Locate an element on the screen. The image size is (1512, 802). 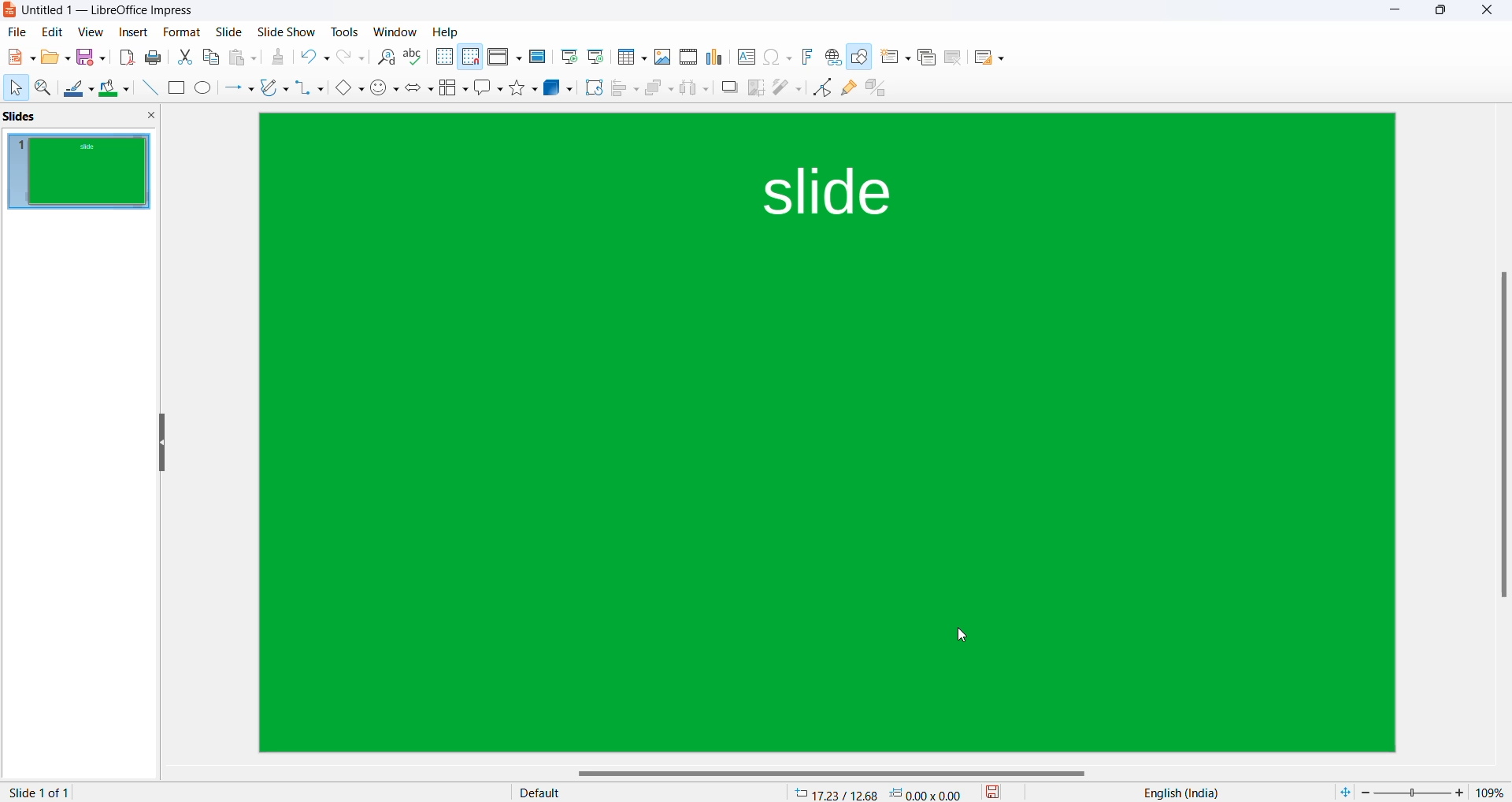
cursor is located at coordinates (15, 88).